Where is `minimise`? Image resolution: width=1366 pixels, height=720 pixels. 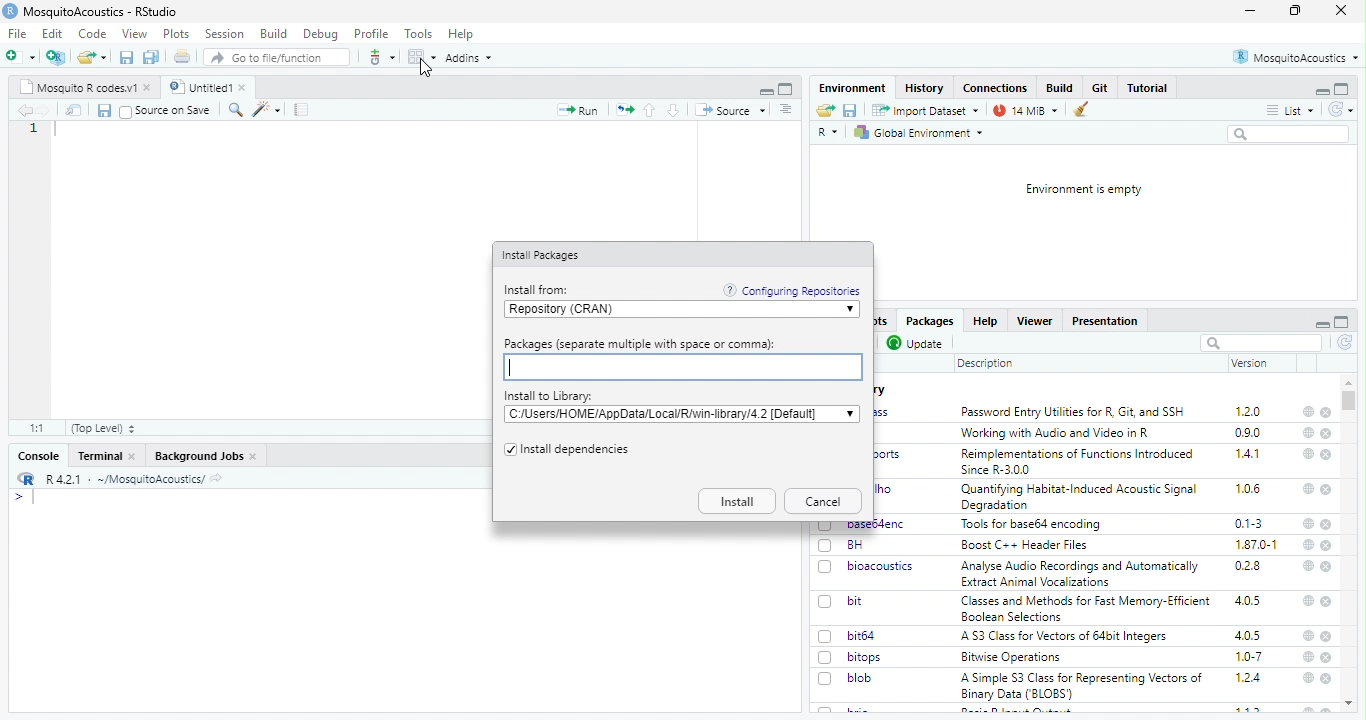
minimise is located at coordinates (1324, 325).